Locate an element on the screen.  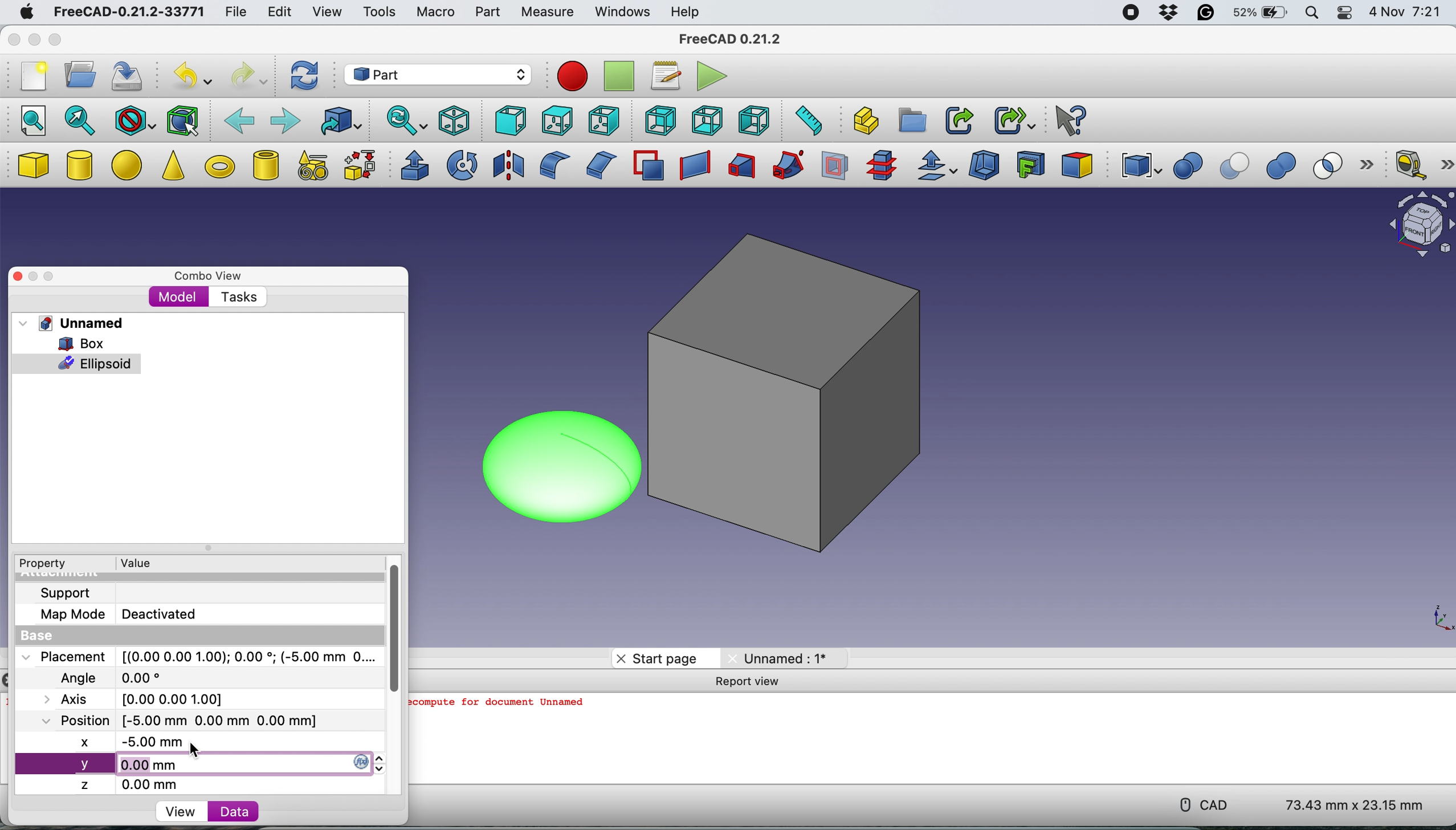
cylinder is located at coordinates (80, 167).